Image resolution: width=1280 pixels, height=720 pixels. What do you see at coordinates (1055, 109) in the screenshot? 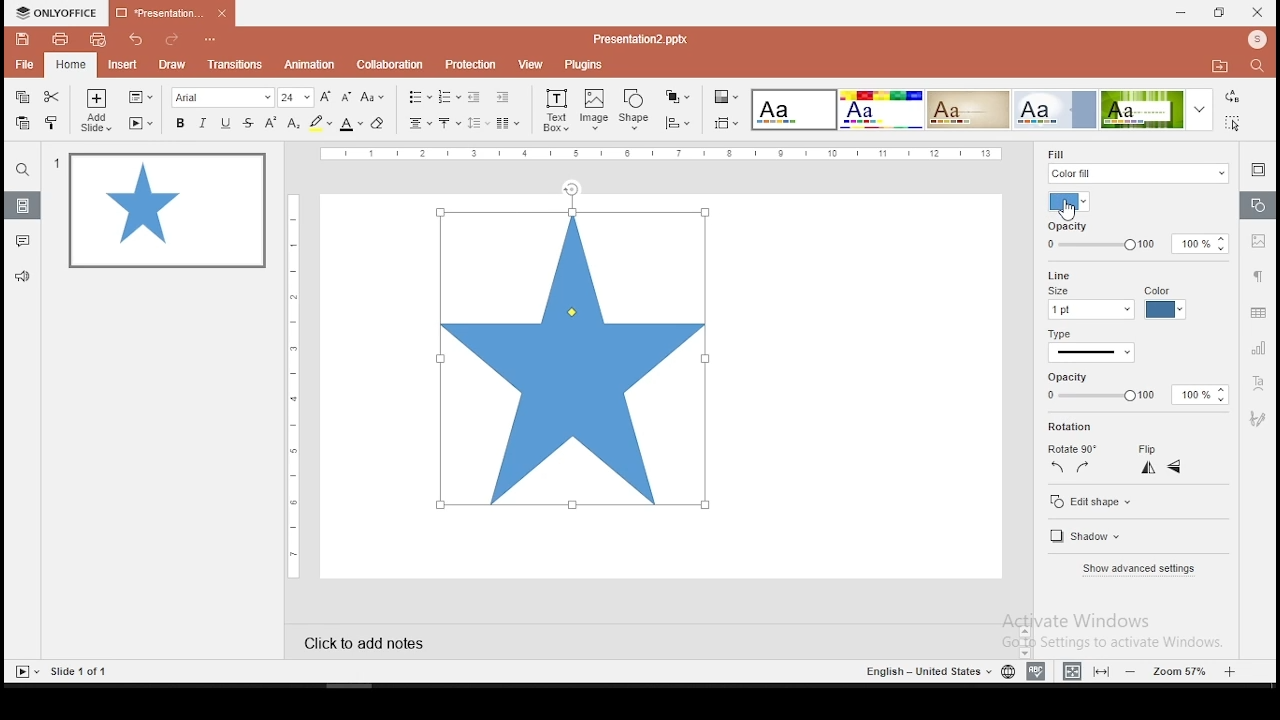
I see `theme` at bounding box center [1055, 109].